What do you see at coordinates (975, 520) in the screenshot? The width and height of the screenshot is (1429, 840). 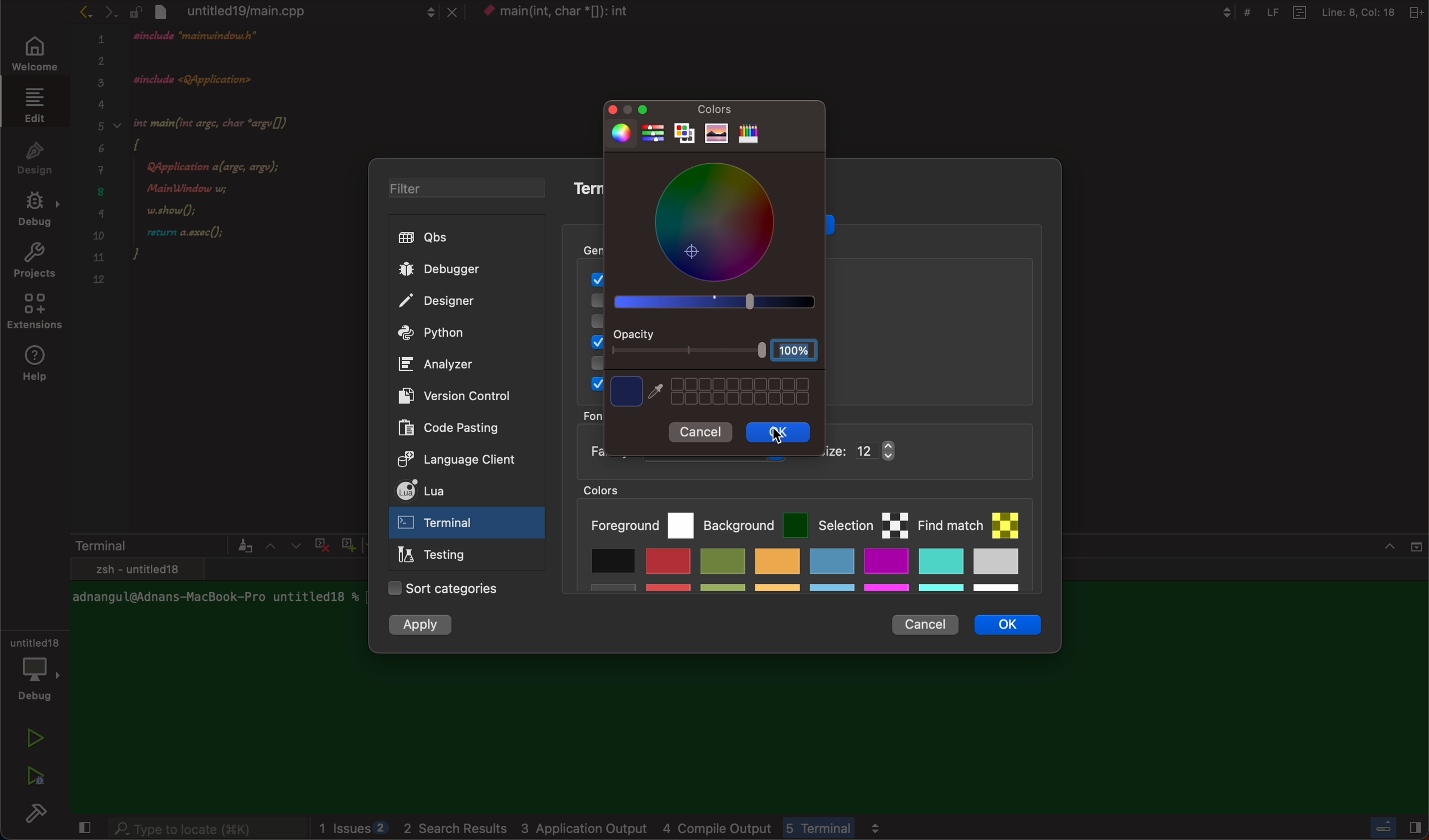 I see `find match` at bounding box center [975, 520].